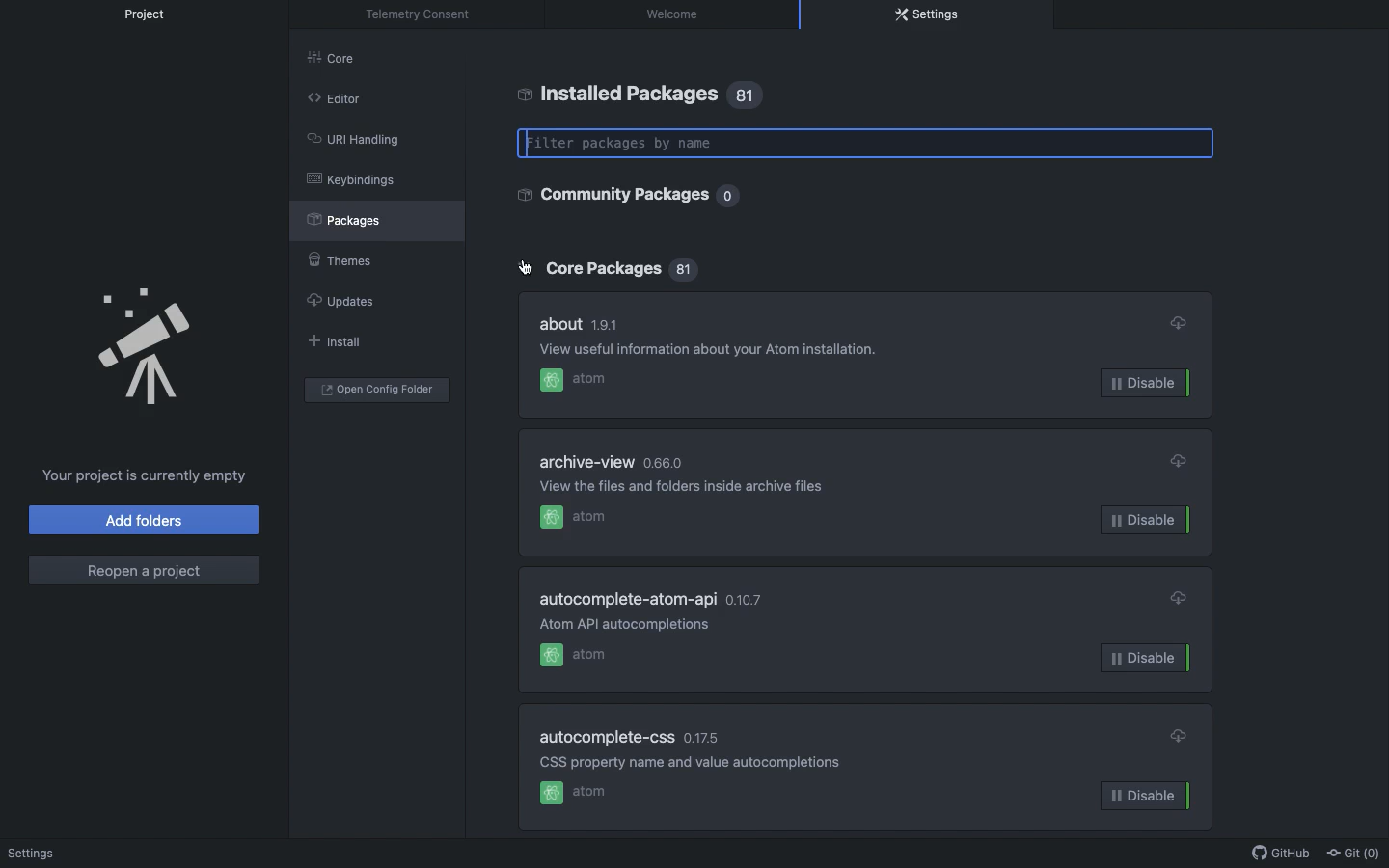  Describe the element at coordinates (146, 475) in the screenshot. I see `Your project is currently empty` at that location.